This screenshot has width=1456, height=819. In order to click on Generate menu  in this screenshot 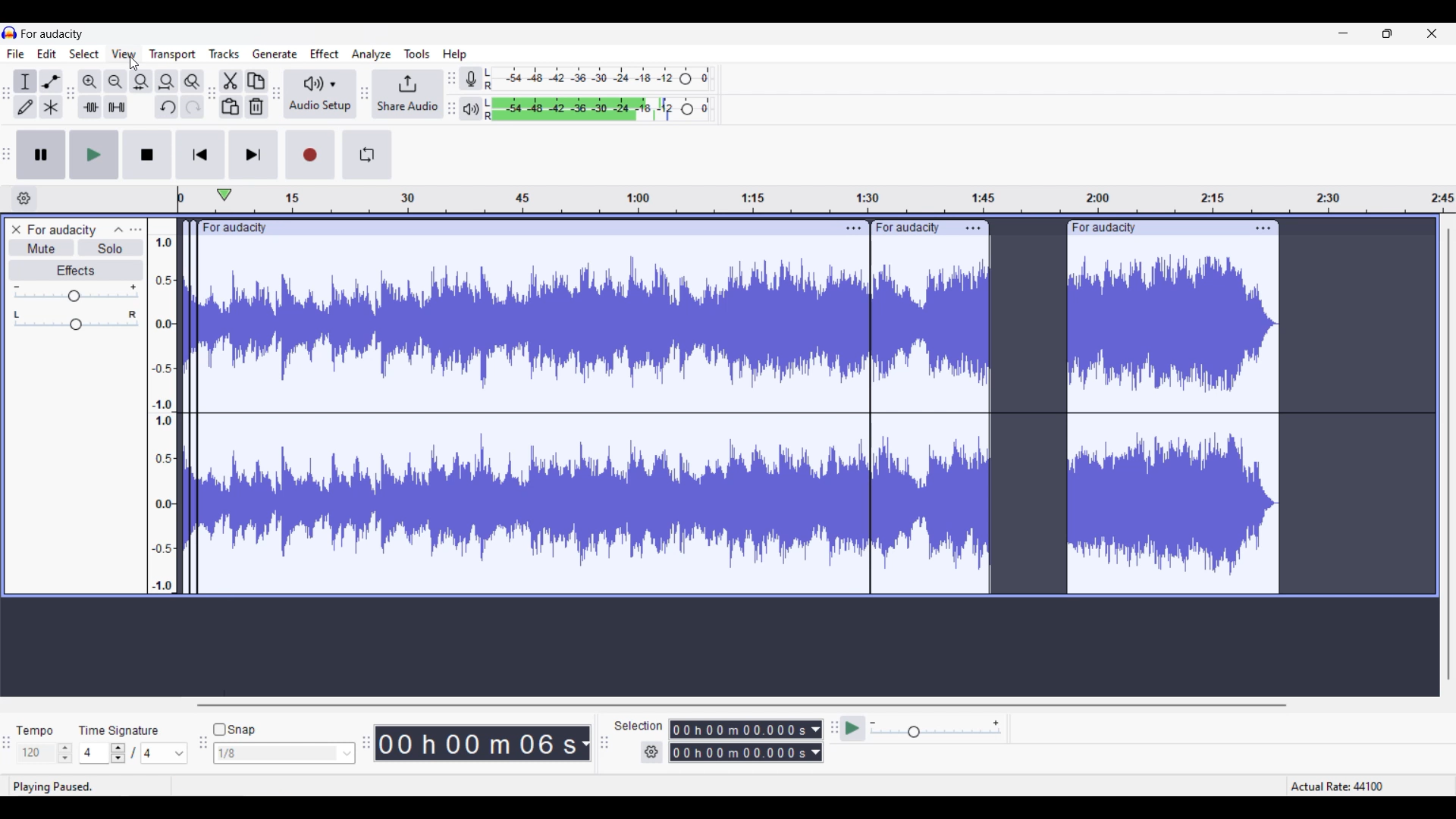, I will do `click(275, 55)`.